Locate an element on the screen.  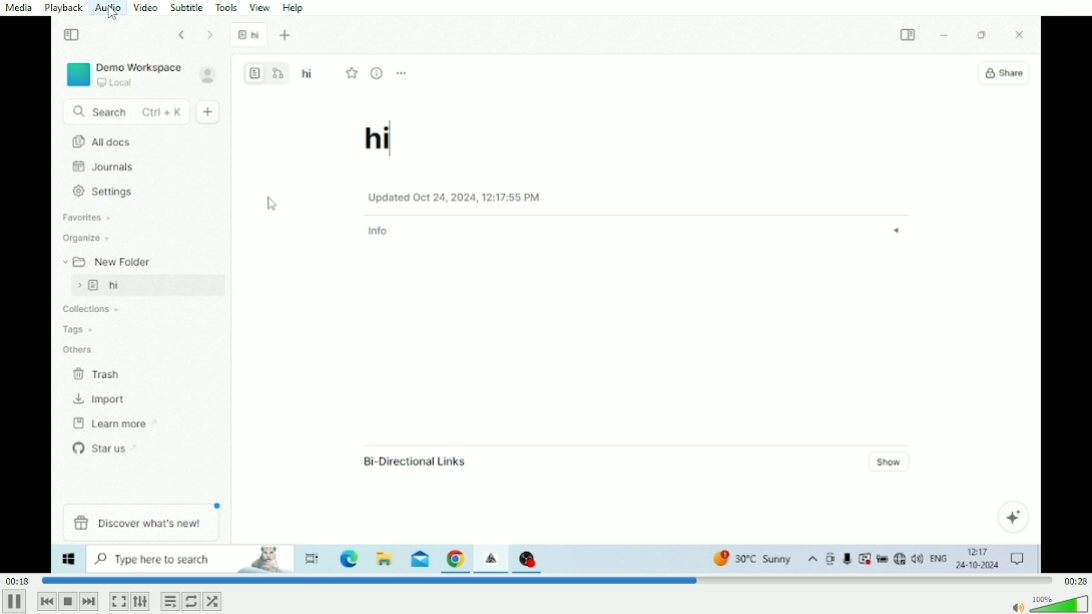
Show extended settings is located at coordinates (140, 602).